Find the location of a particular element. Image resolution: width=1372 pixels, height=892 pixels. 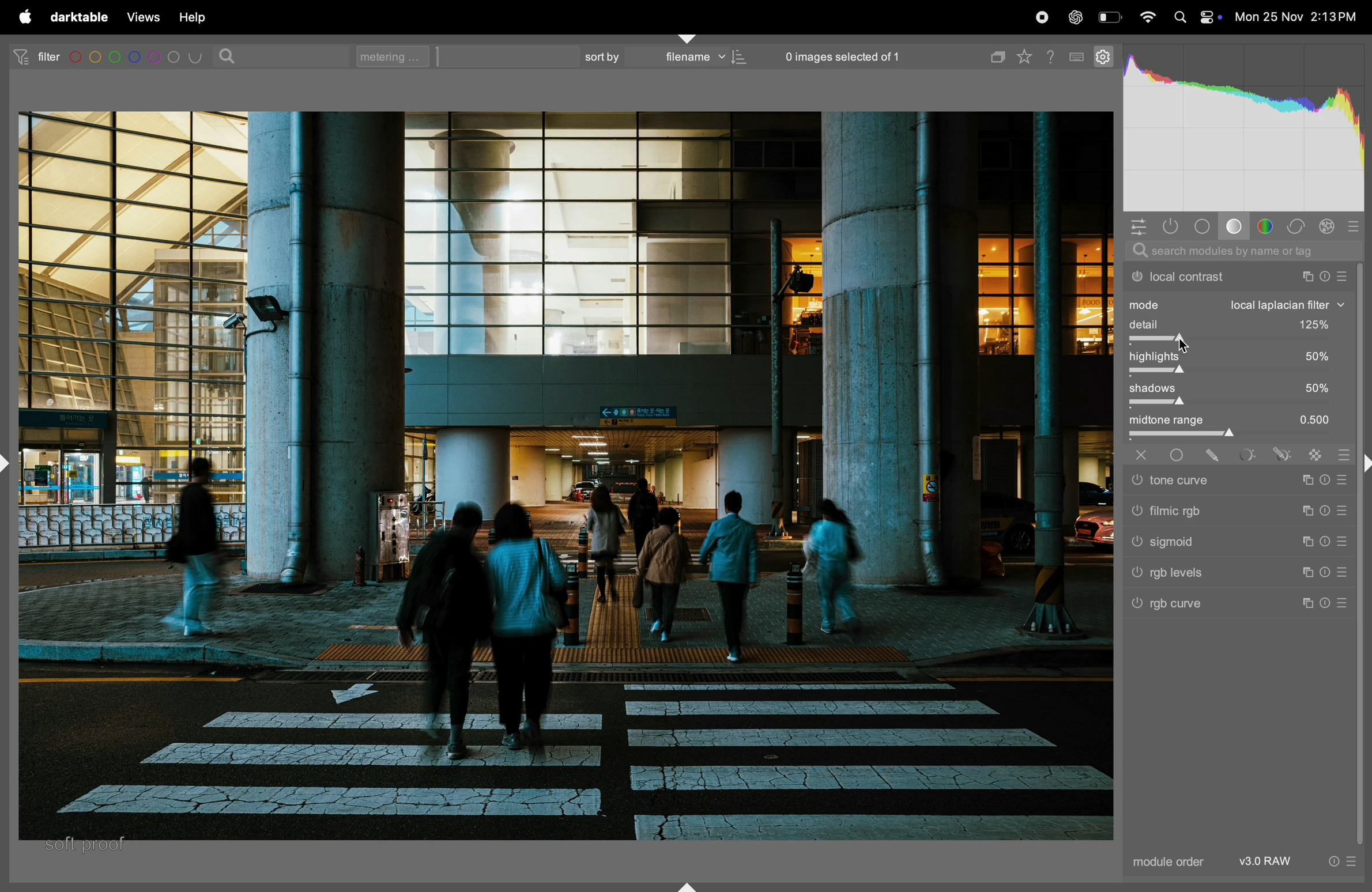

0 images selected of 1 is located at coordinates (843, 53).